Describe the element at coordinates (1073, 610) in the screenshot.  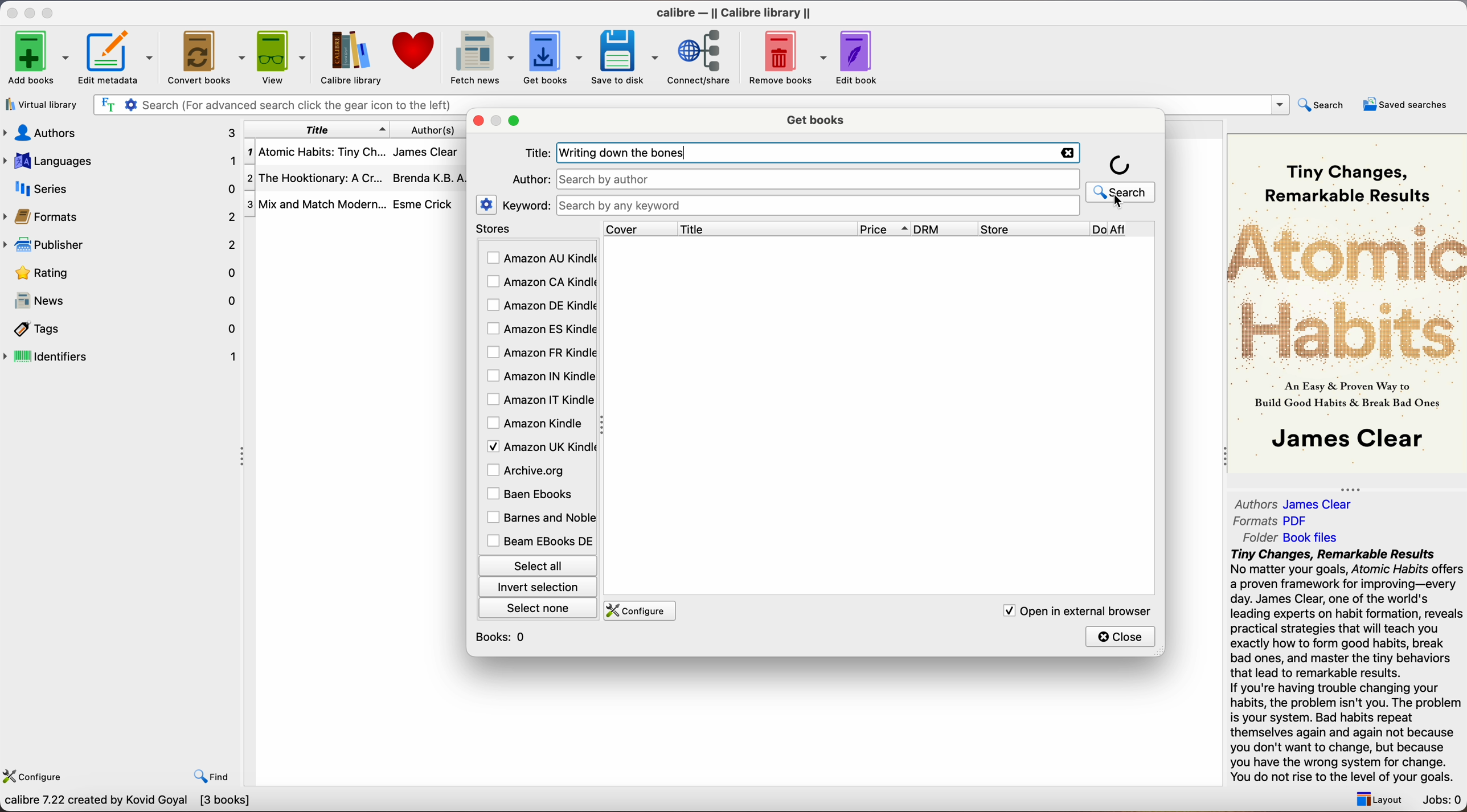
I see `open in external browser` at that location.